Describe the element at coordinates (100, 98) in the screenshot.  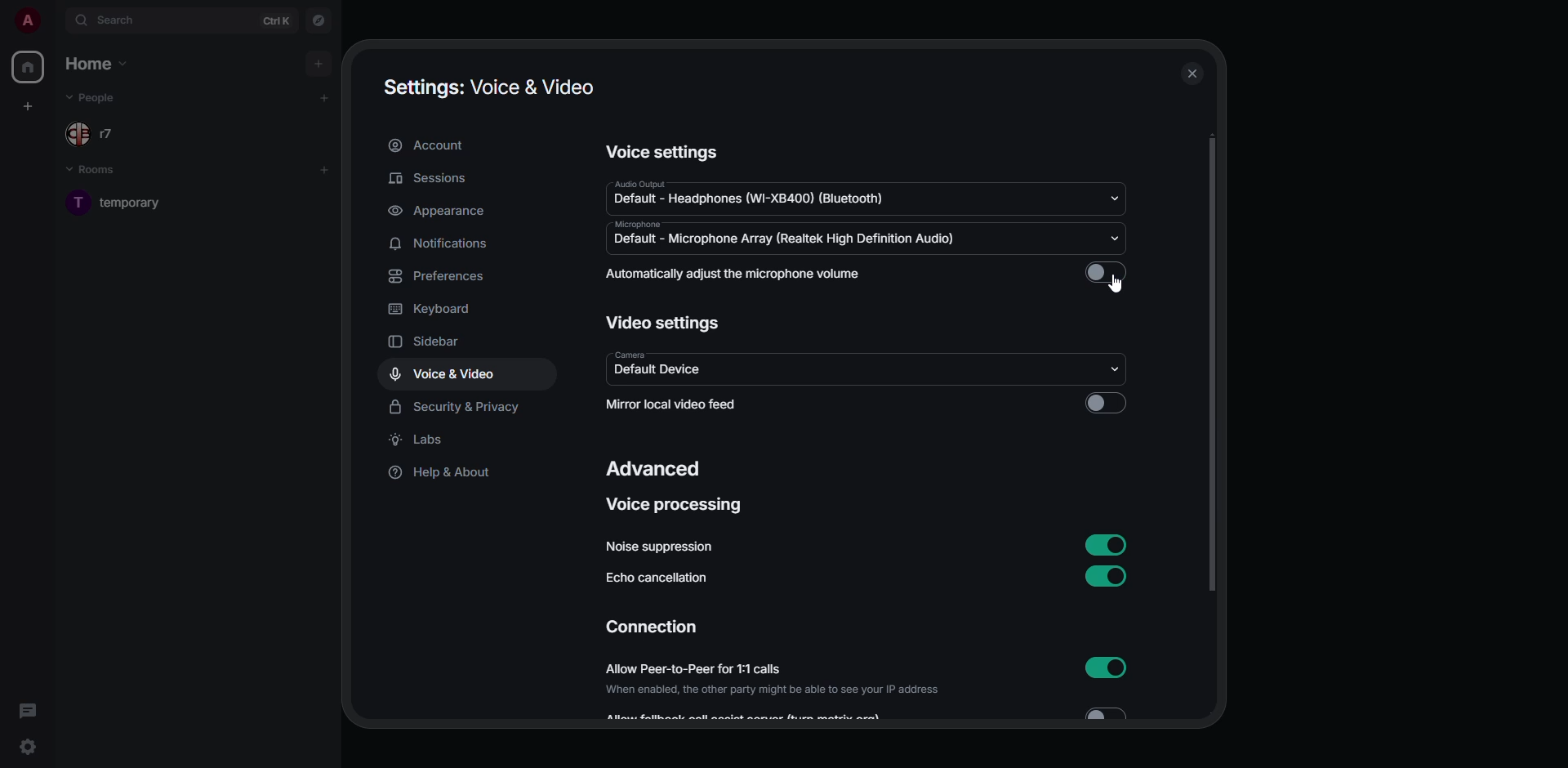
I see `people` at that location.